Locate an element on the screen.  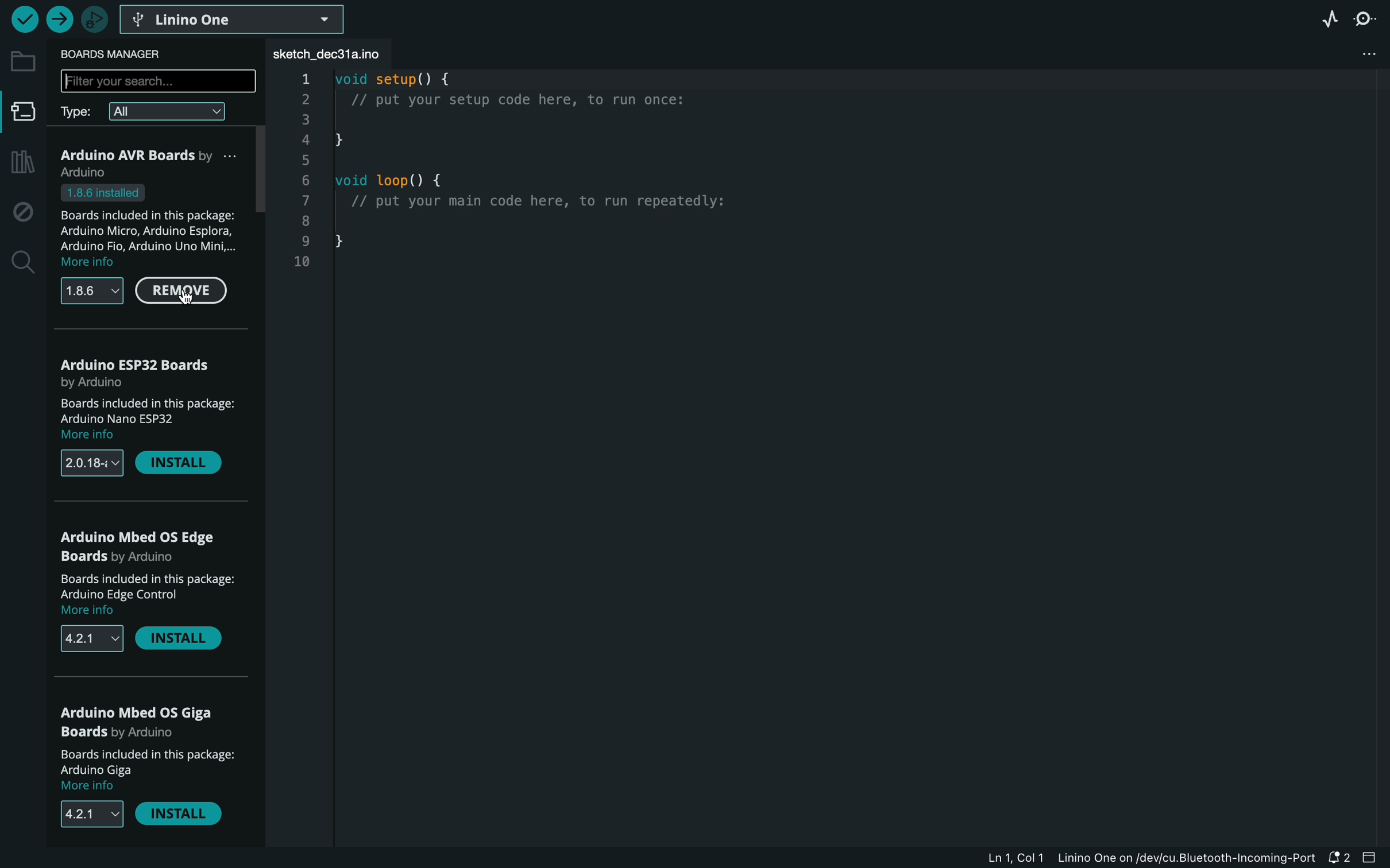
more info is located at coordinates (93, 437).